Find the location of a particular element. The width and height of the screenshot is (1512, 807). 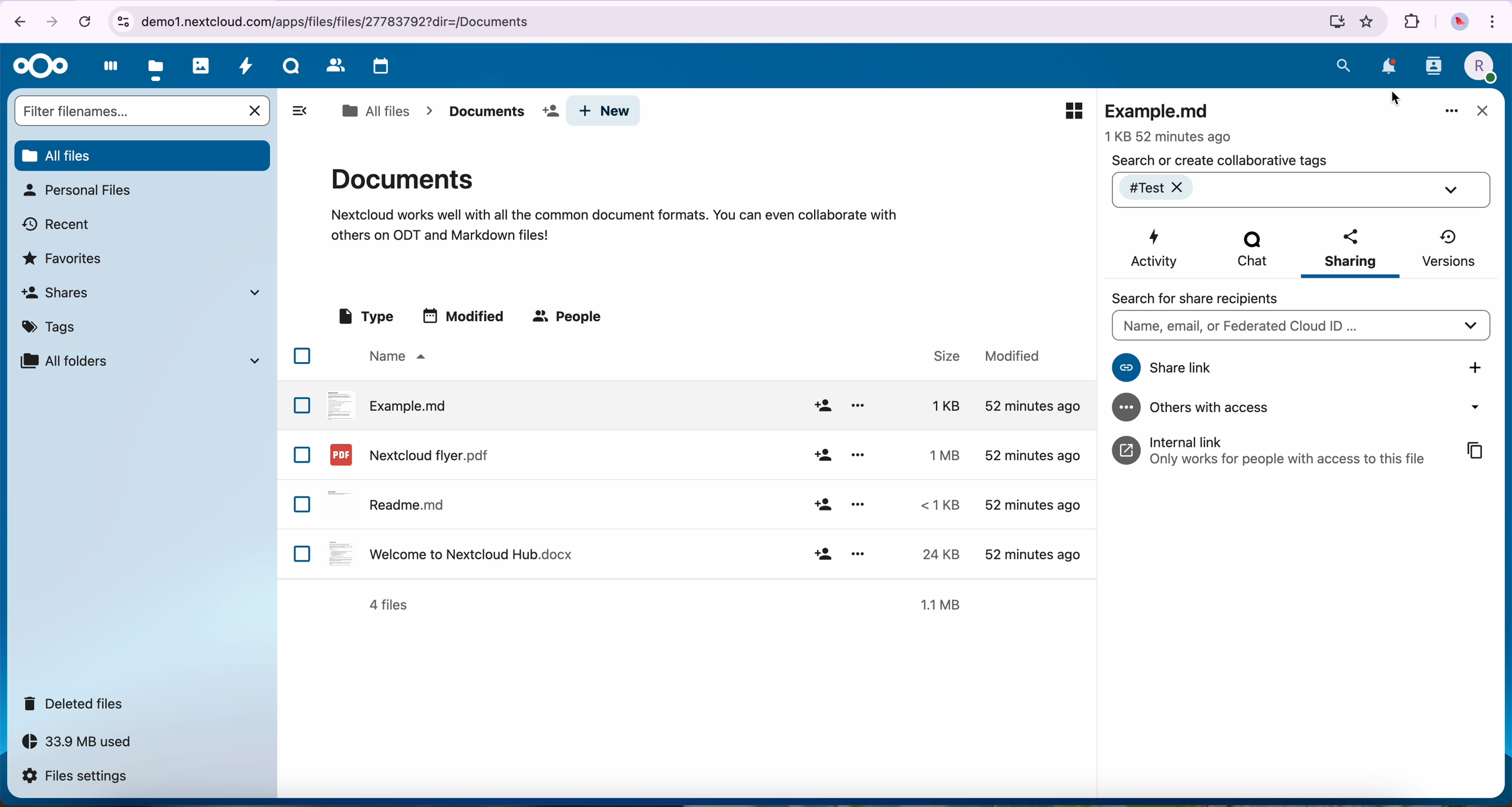

checkbox is located at coordinates (303, 505).